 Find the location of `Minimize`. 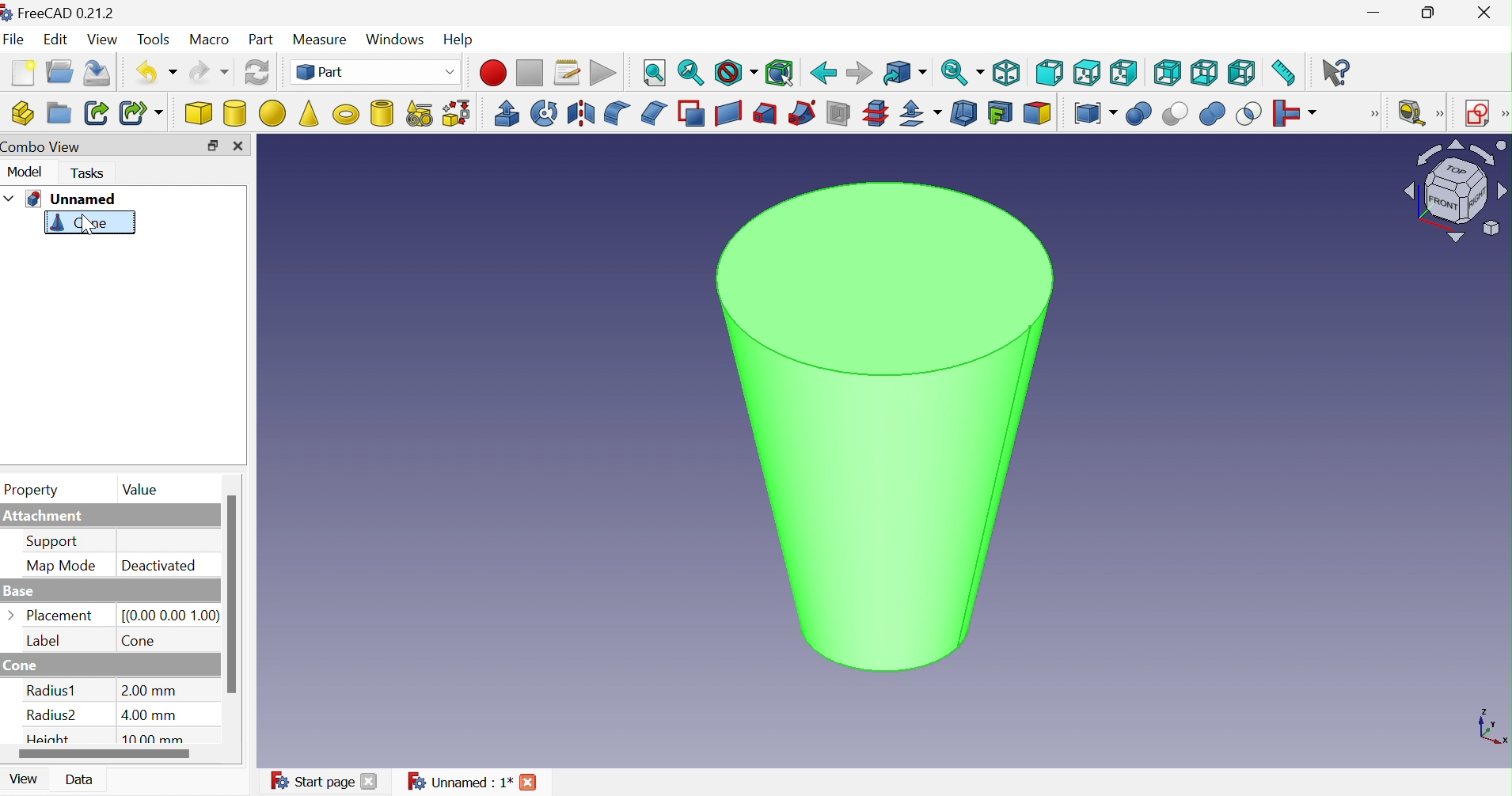

Minimize is located at coordinates (1374, 13).